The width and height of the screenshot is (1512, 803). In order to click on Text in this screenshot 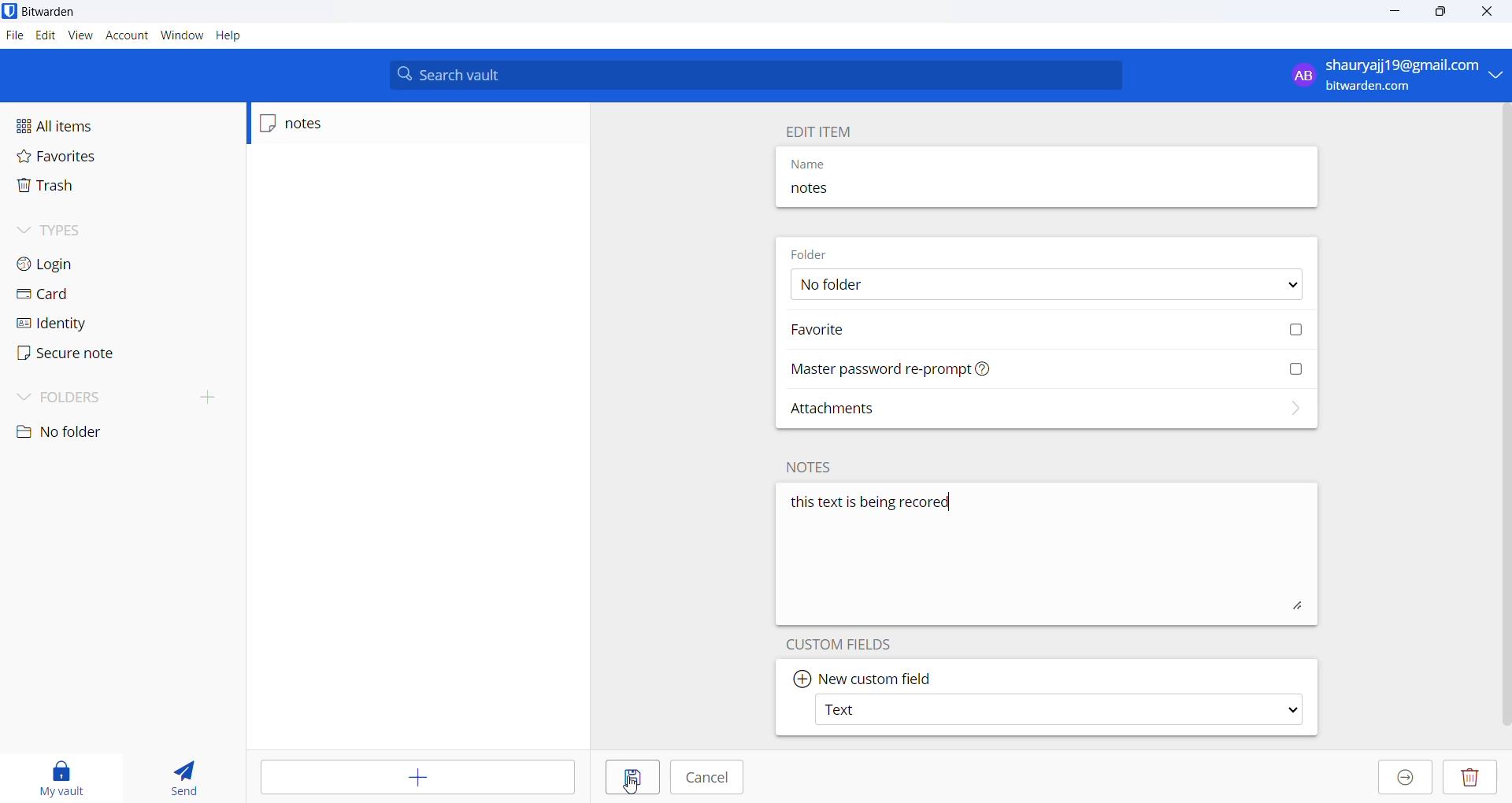, I will do `click(1062, 712)`.